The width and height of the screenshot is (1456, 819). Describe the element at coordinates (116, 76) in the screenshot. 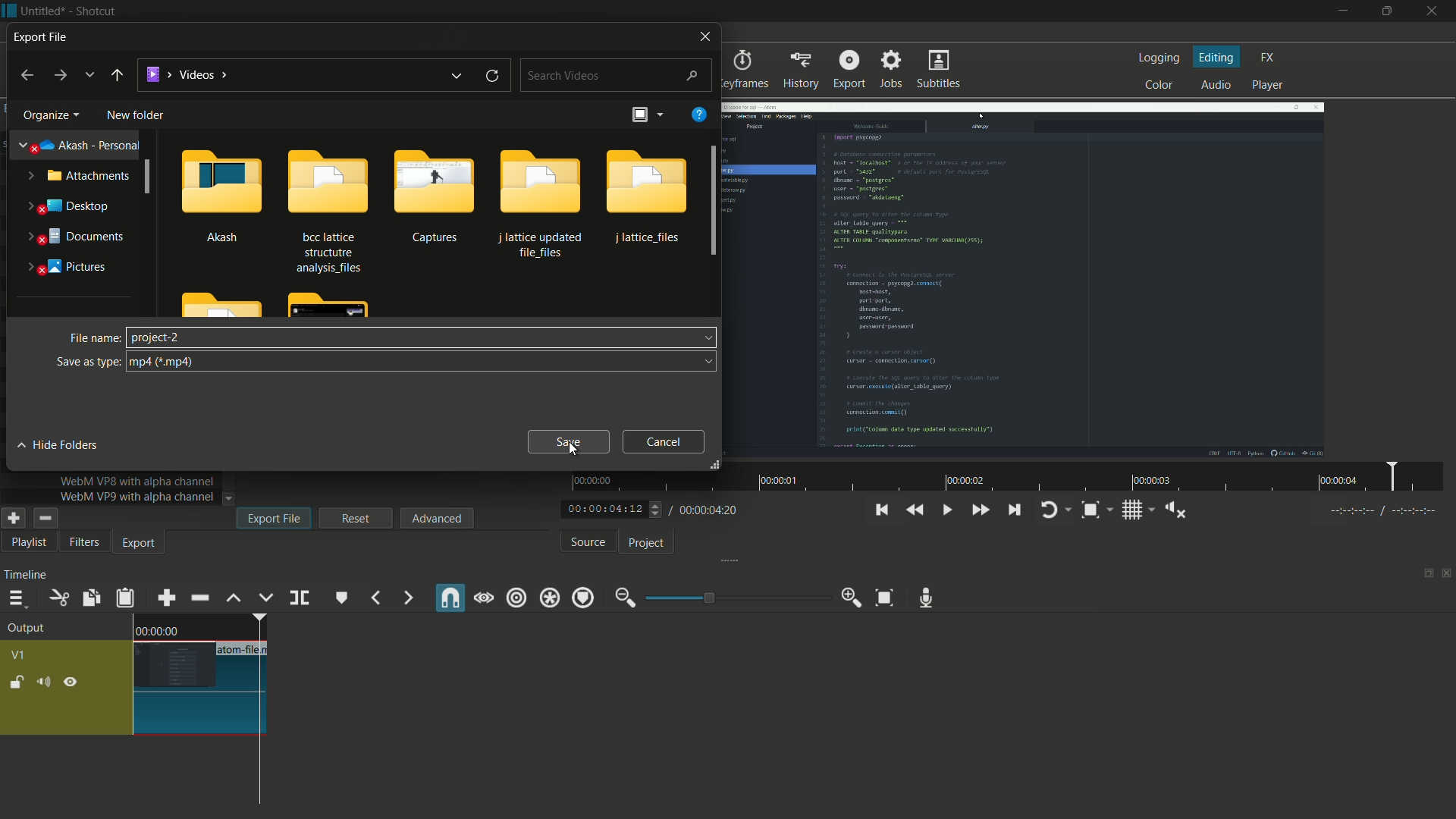

I see `ack` at that location.